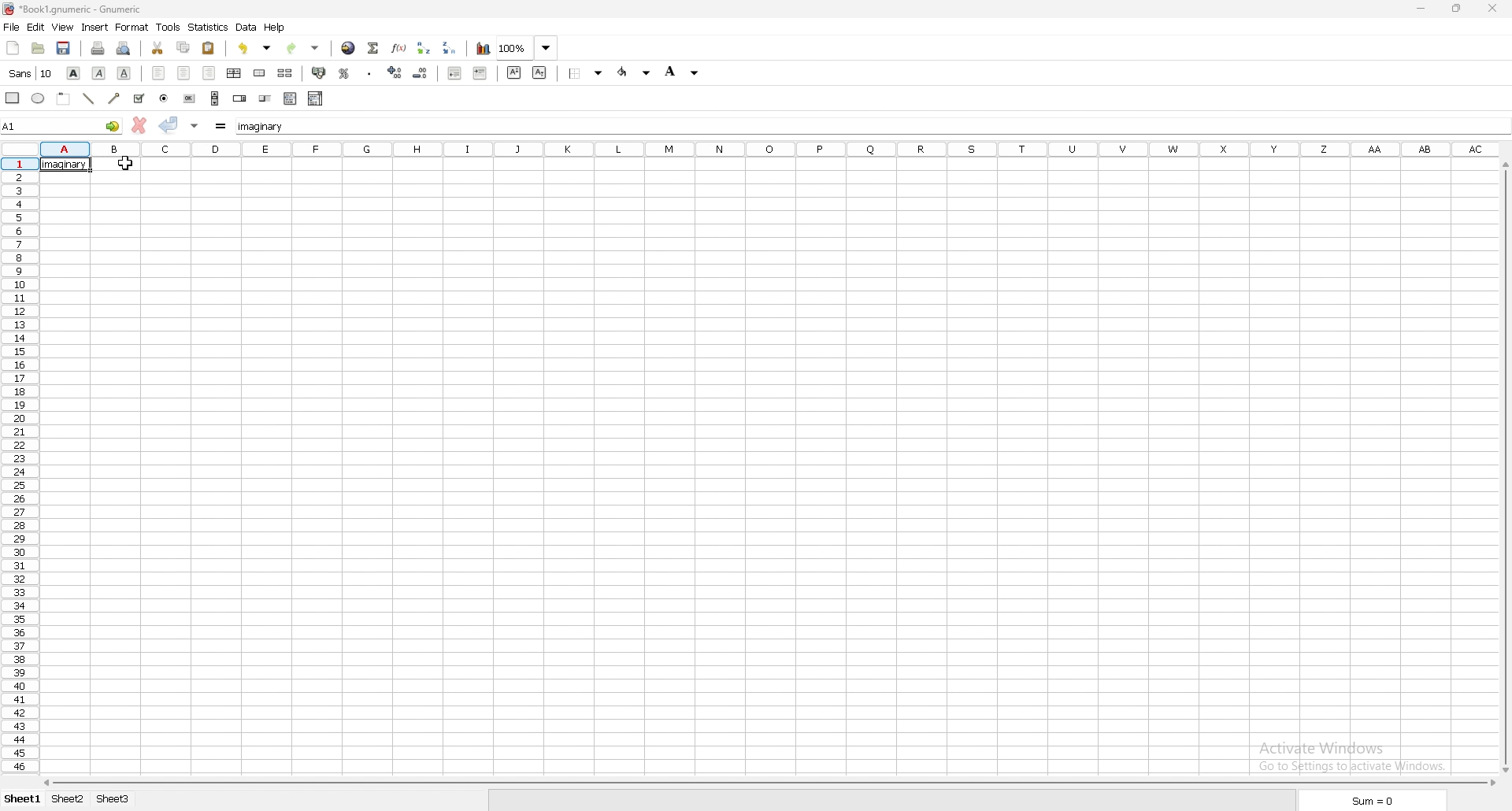 This screenshot has width=1512, height=811. Describe the element at coordinates (395, 72) in the screenshot. I see `increase decimals` at that location.